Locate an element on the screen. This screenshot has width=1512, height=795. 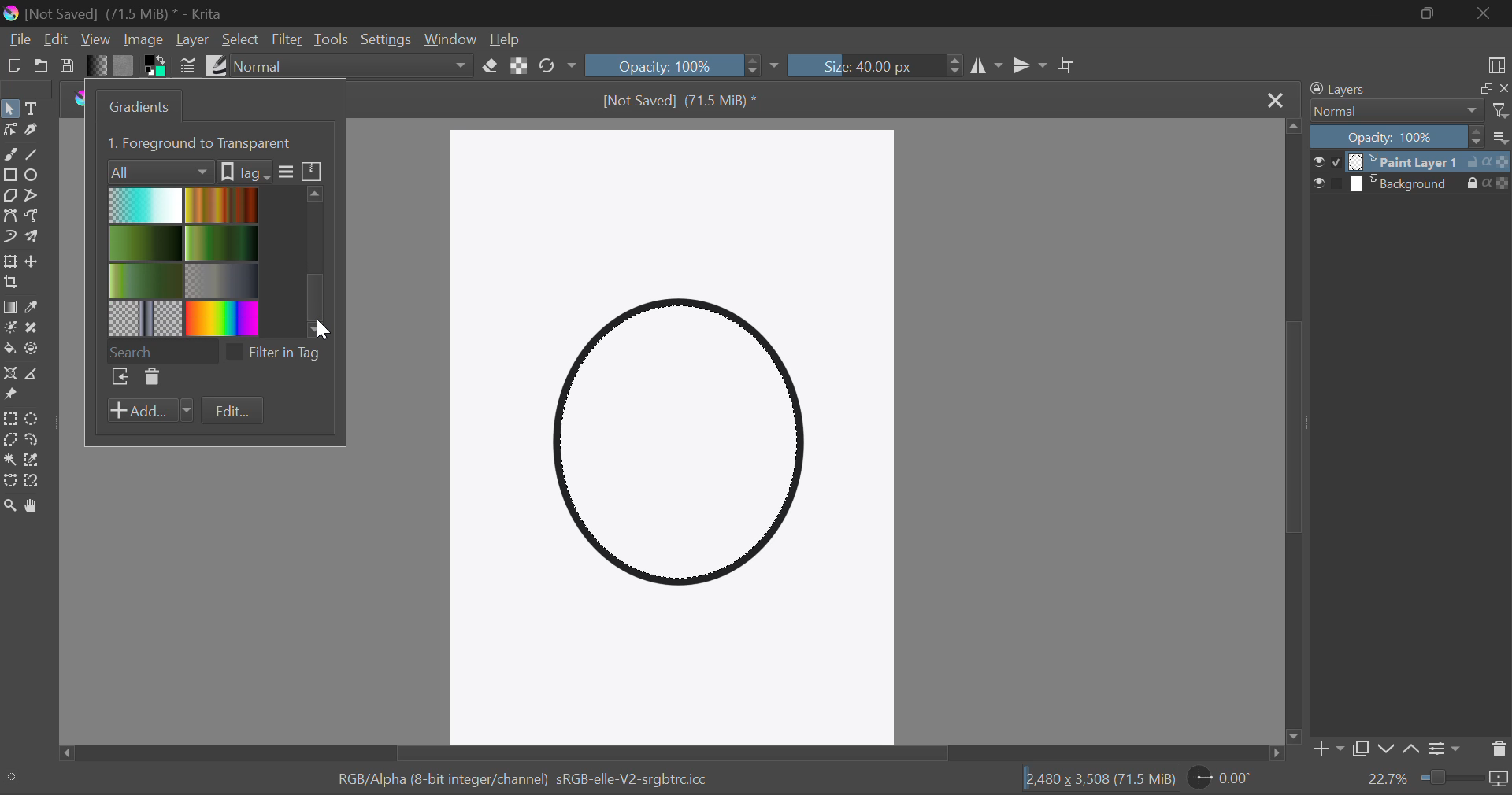
Delete Layer is located at coordinates (1499, 752).